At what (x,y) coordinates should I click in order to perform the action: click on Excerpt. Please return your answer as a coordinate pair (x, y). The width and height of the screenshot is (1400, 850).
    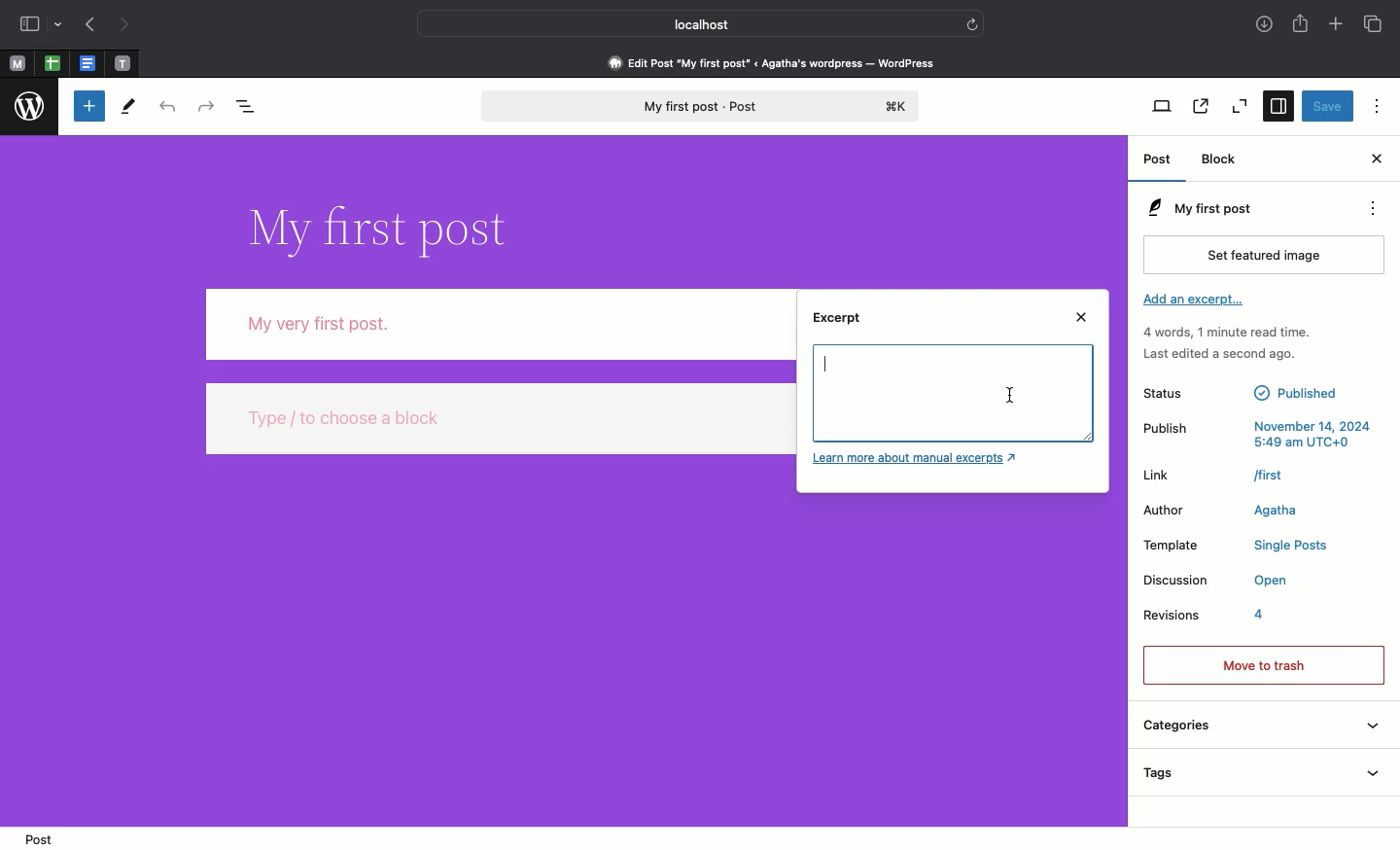
    Looking at the image, I should click on (842, 324).